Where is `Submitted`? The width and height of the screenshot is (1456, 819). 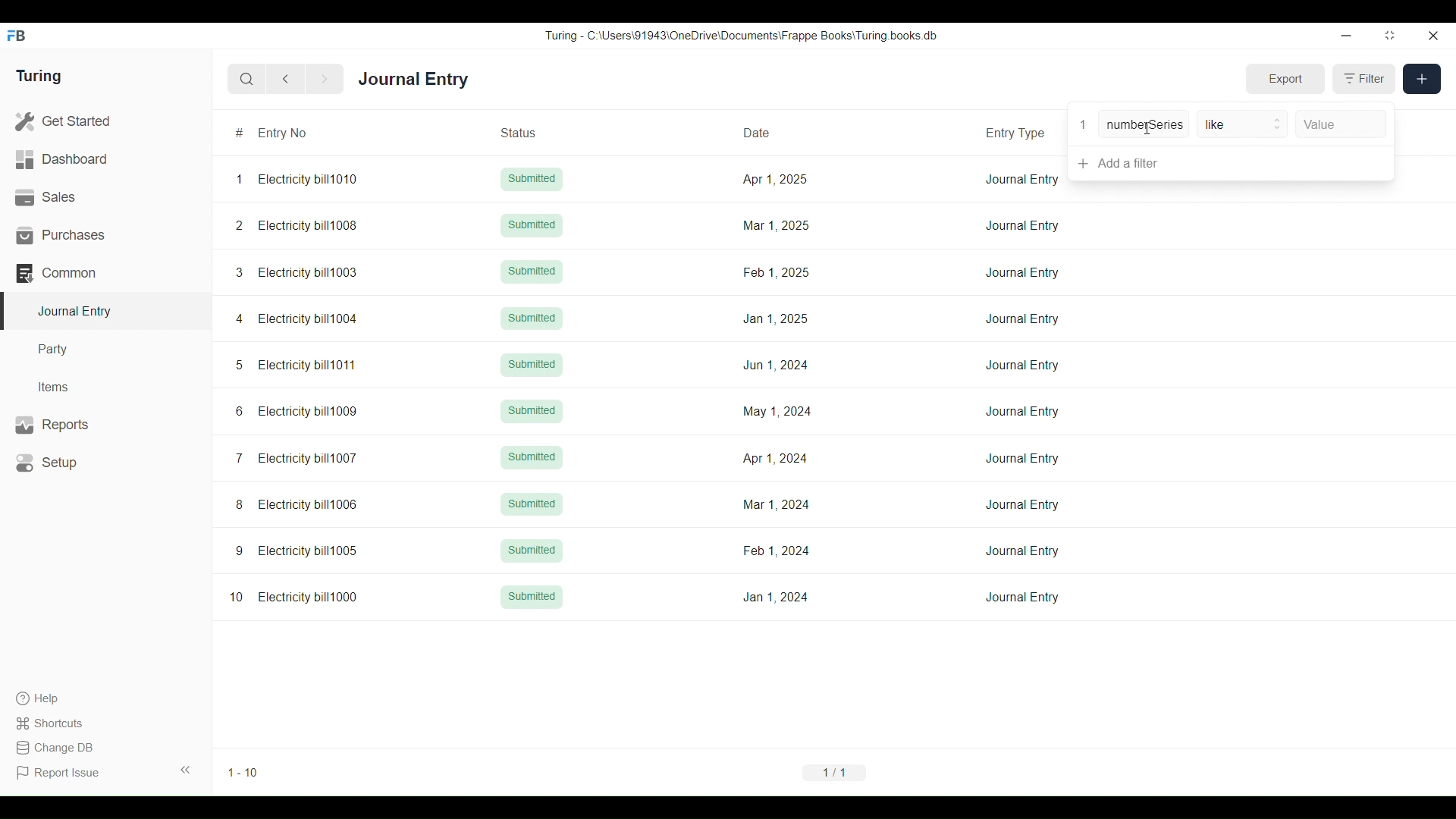
Submitted is located at coordinates (532, 179).